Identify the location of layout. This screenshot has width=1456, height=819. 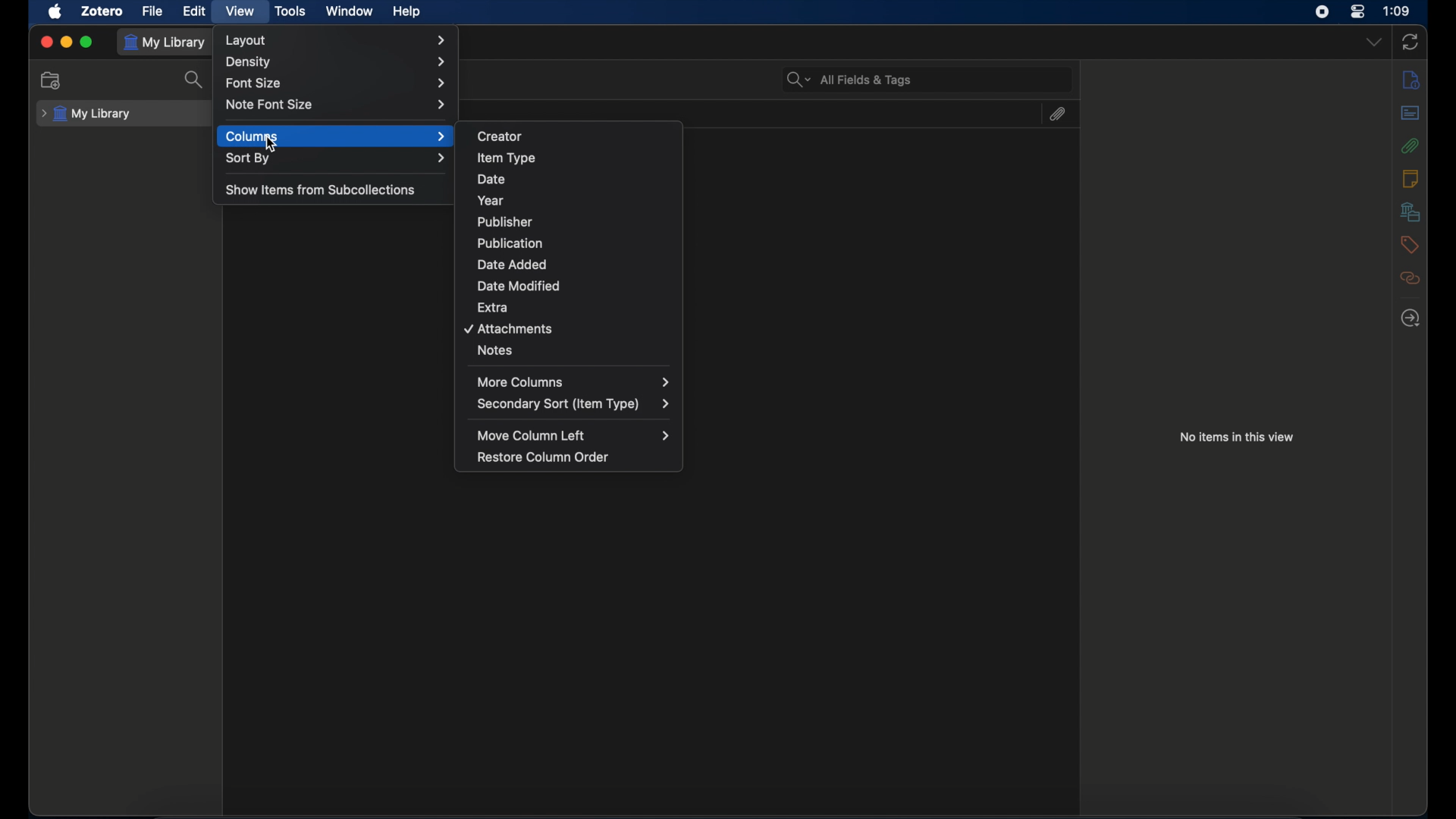
(335, 40).